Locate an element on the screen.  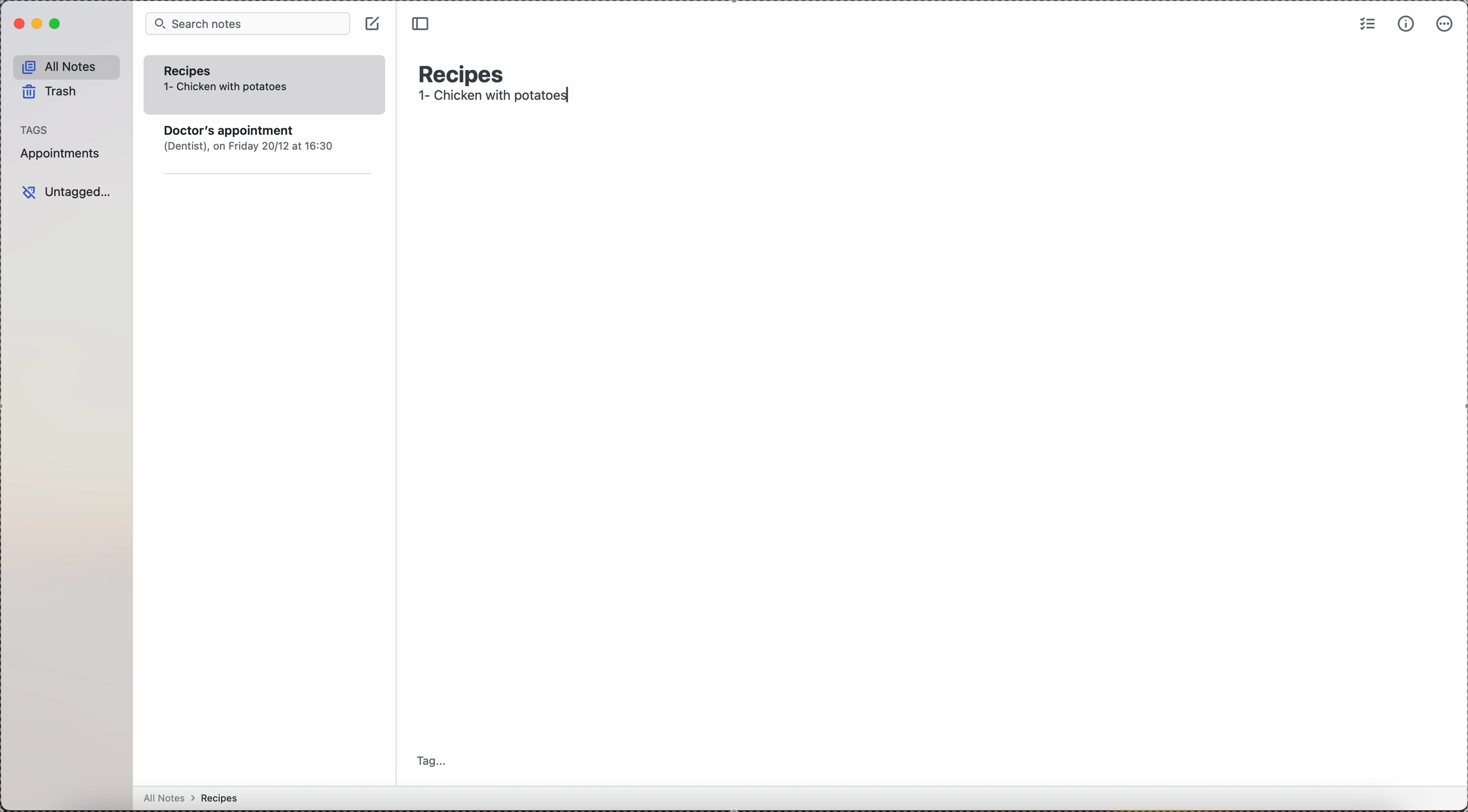
check list is located at coordinates (1366, 25).